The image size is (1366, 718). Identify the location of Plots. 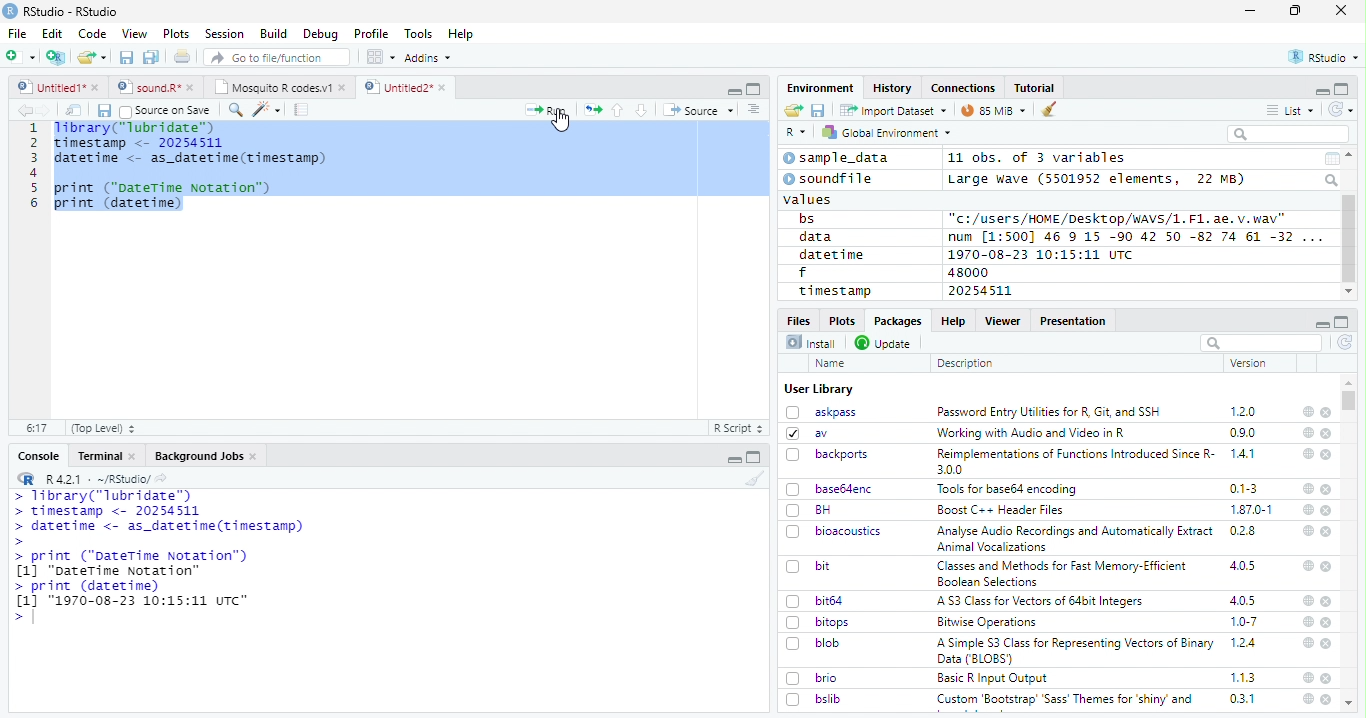
(841, 320).